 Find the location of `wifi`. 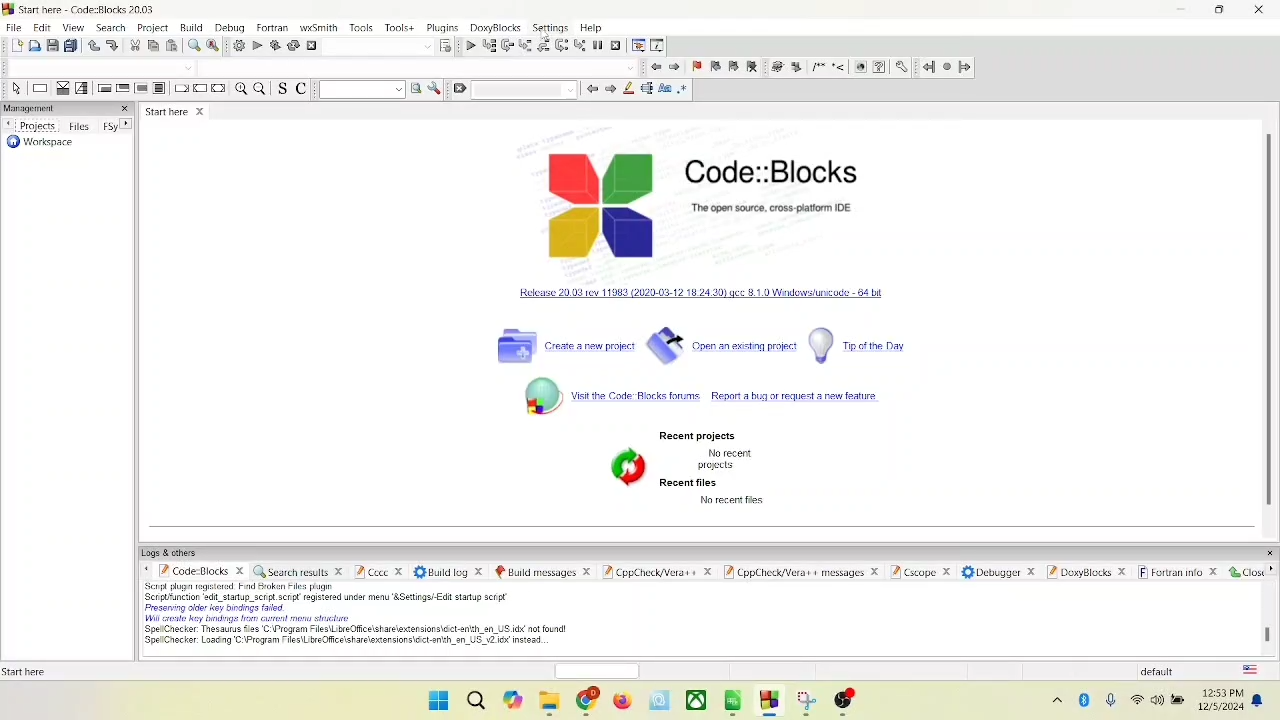

wifi is located at coordinates (1136, 702).